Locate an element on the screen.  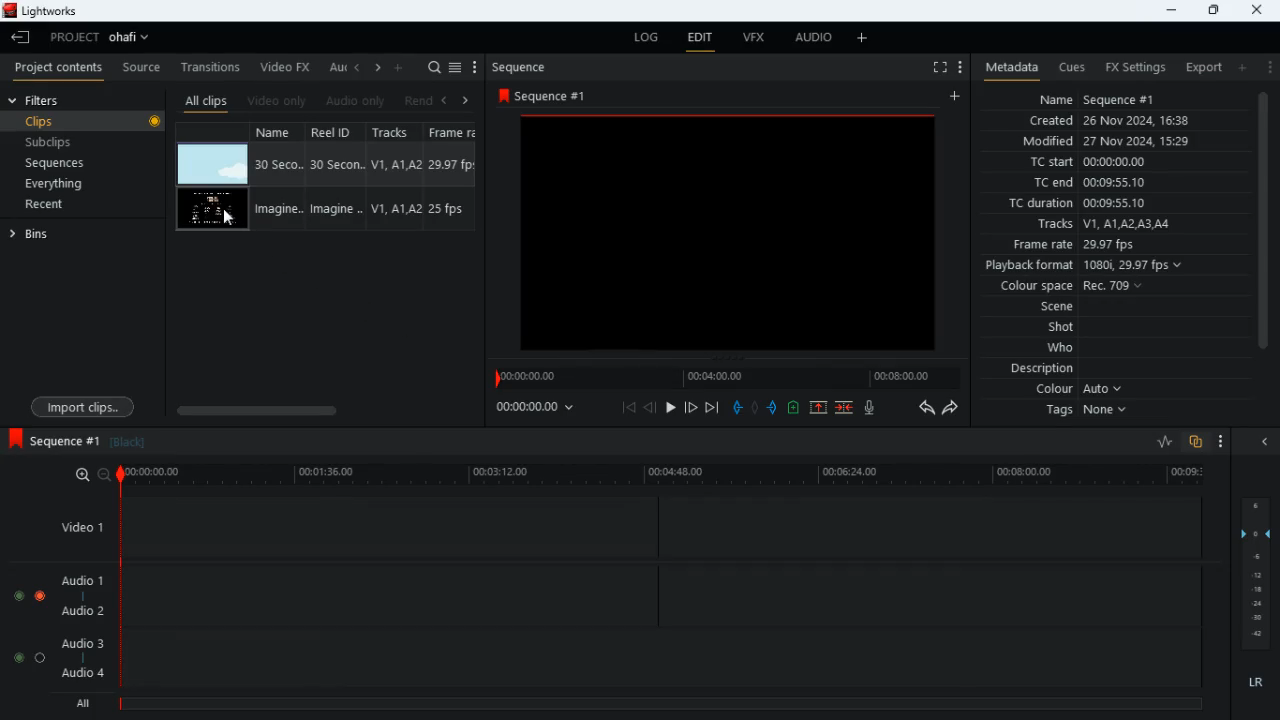
description is located at coordinates (1043, 369).